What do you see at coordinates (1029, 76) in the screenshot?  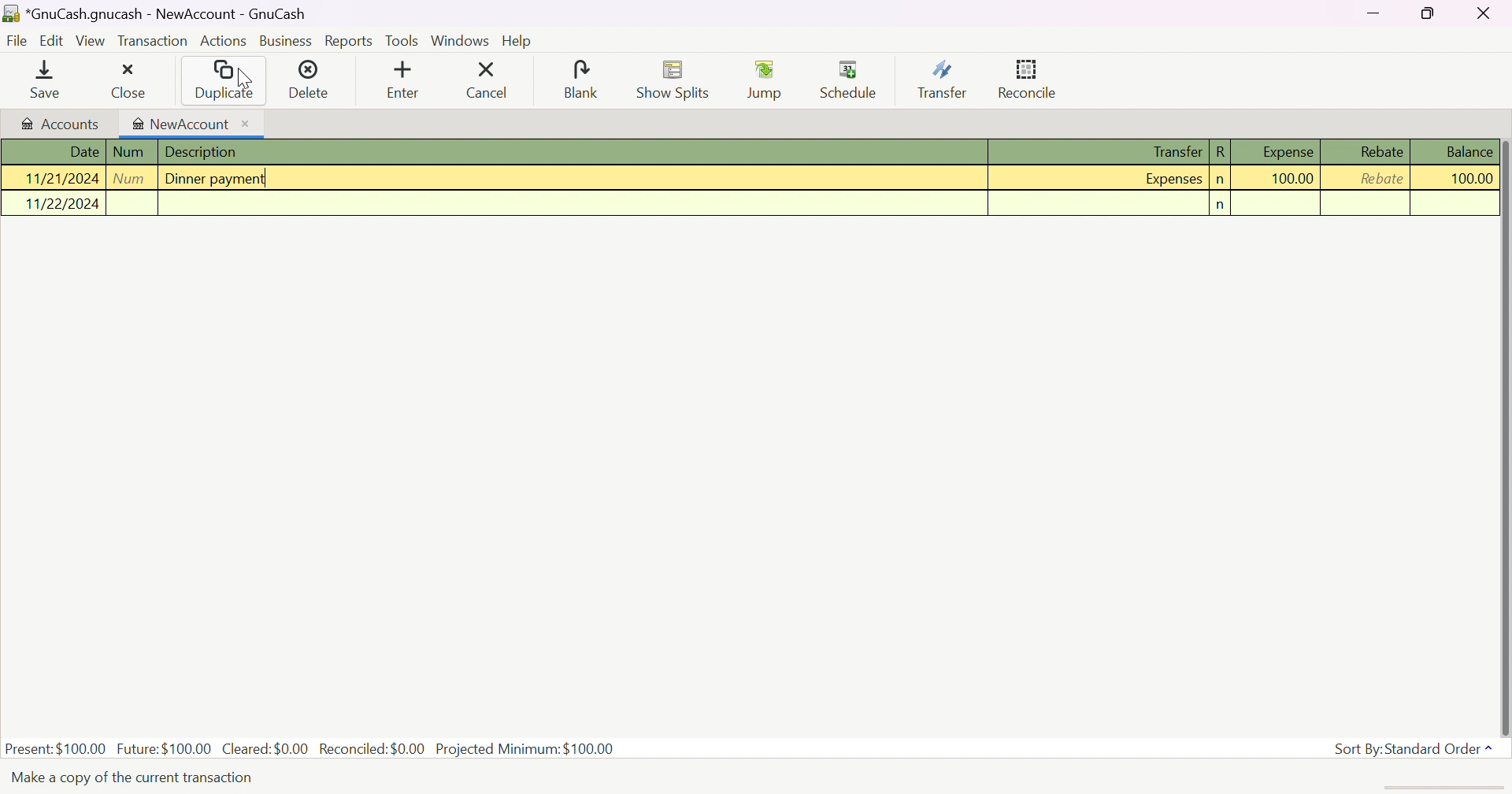 I see `Reconcile` at bounding box center [1029, 76].